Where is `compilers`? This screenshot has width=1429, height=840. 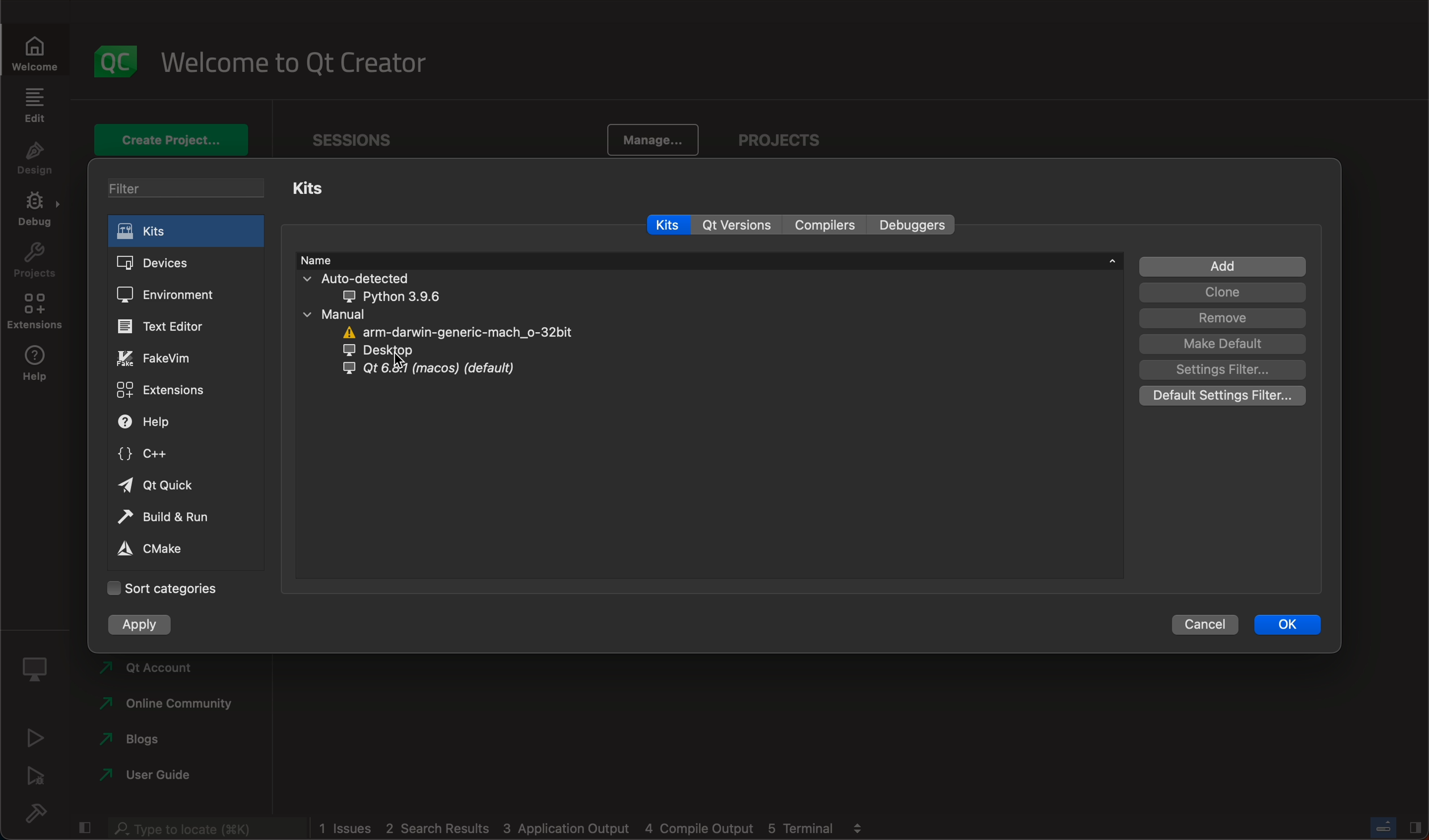 compilers is located at coordinates (827, 224).